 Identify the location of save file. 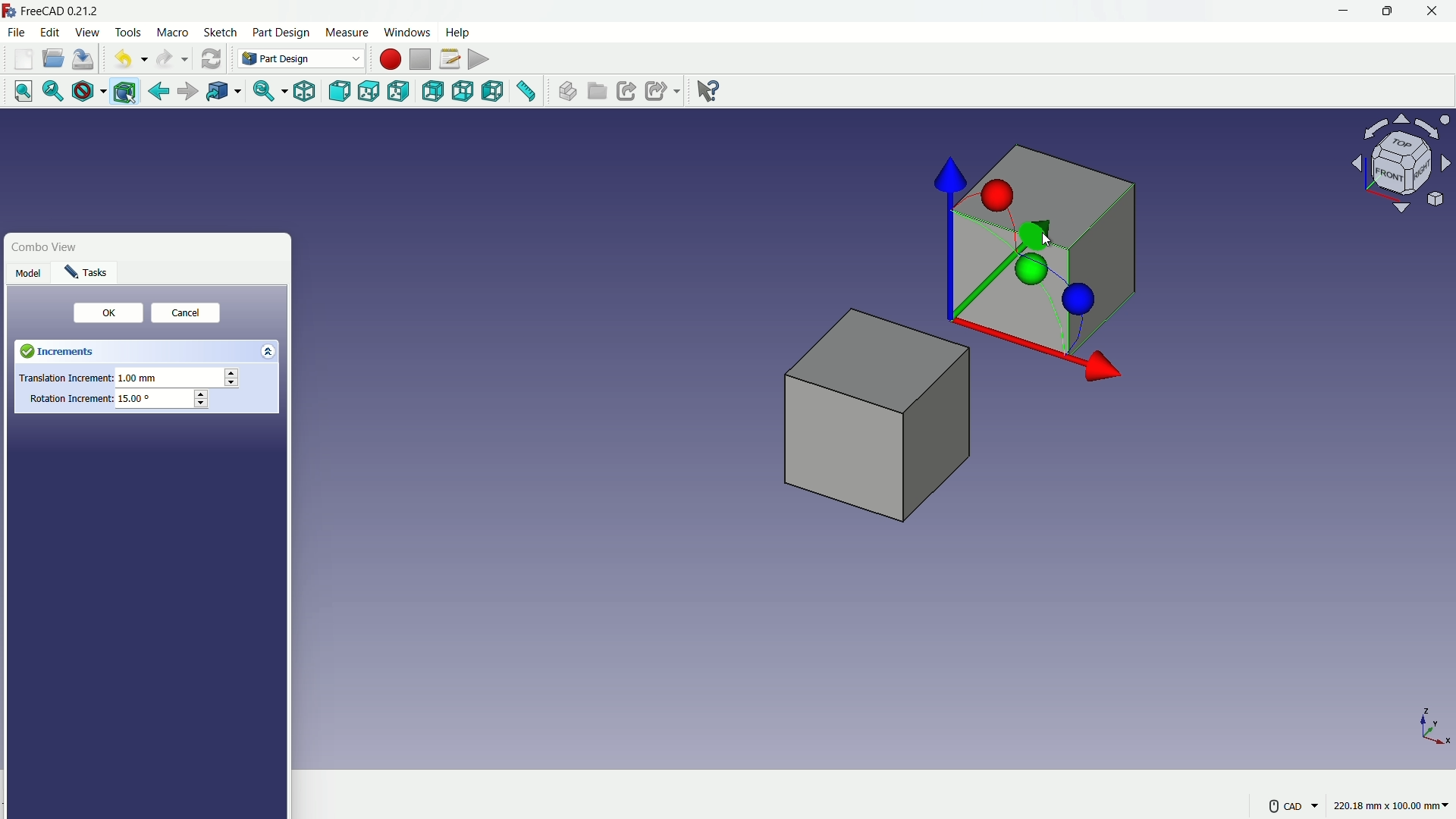
(85, 60).